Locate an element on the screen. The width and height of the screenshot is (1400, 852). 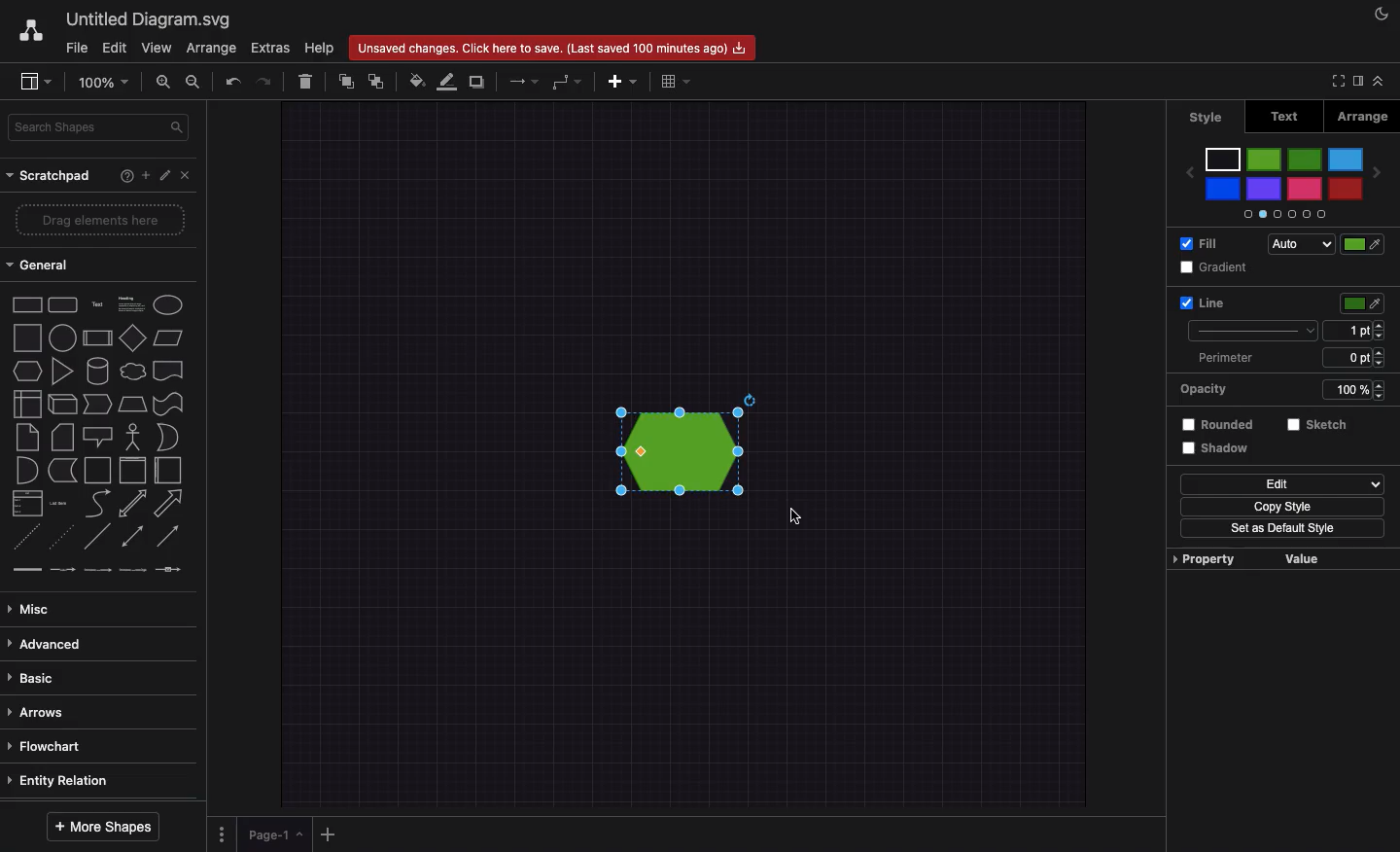
Collapse is located at coordinates (1379, 82).